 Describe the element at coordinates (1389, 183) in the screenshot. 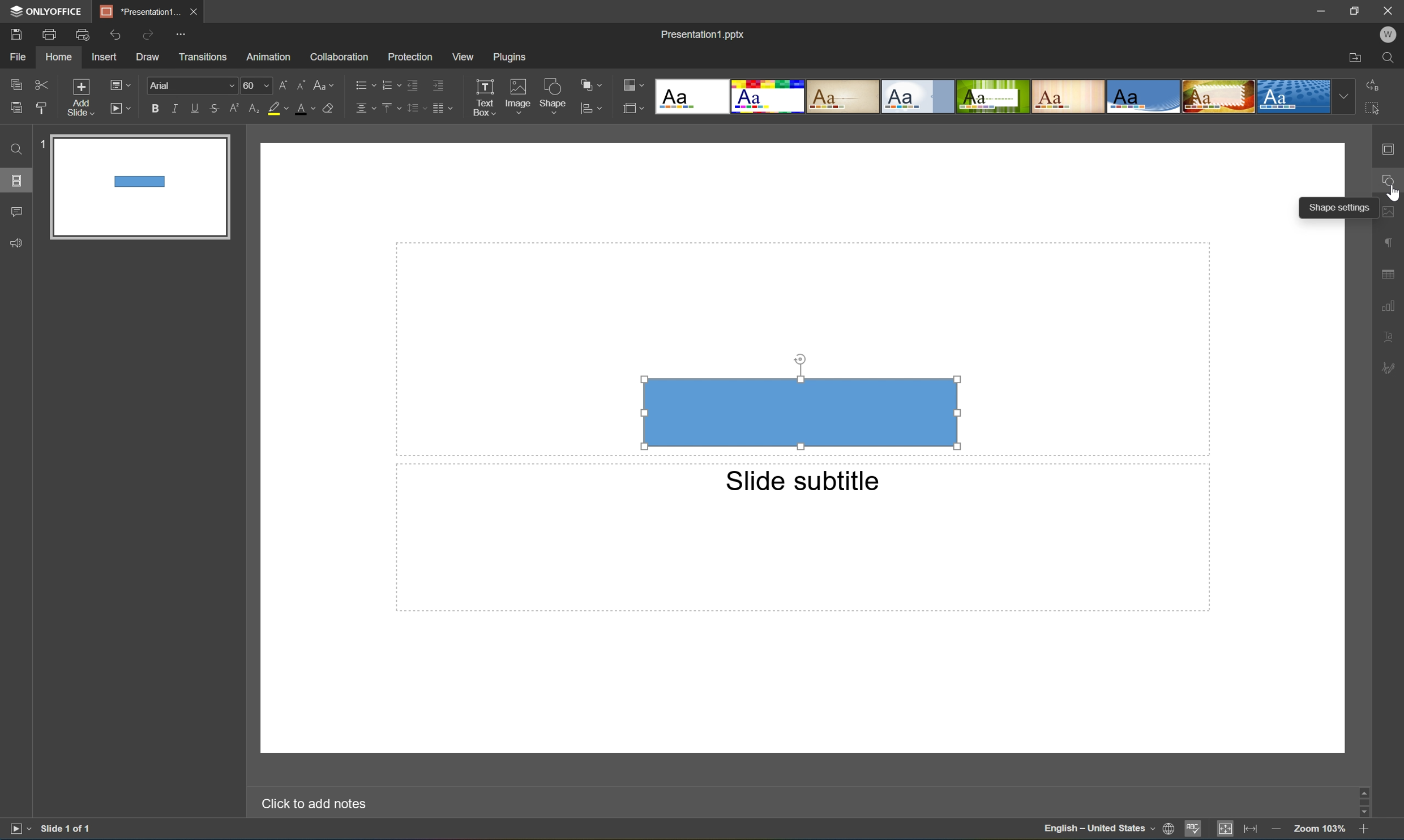

I see `shape settings` at that location.